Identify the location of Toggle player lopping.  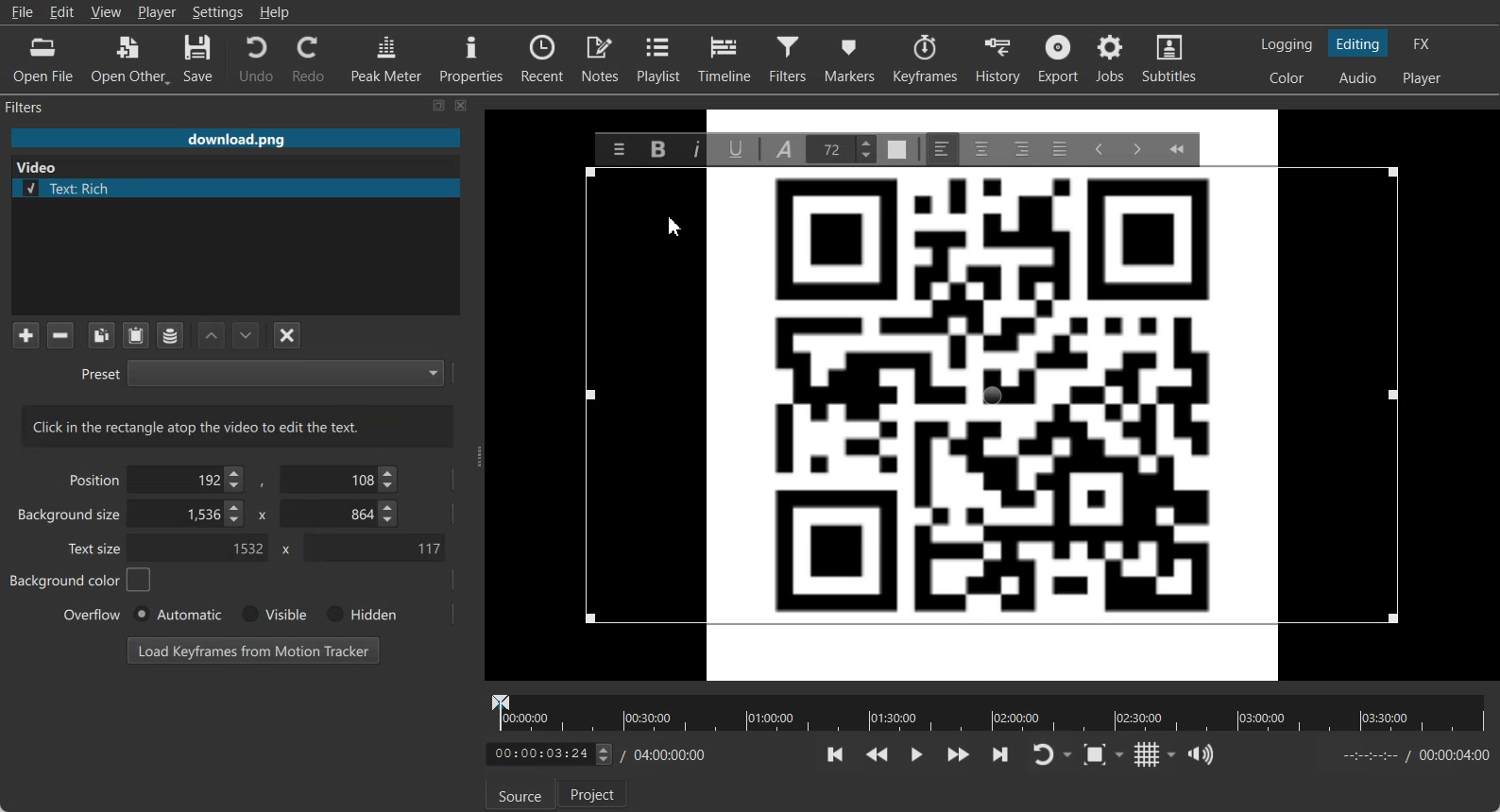
(1040, 755).